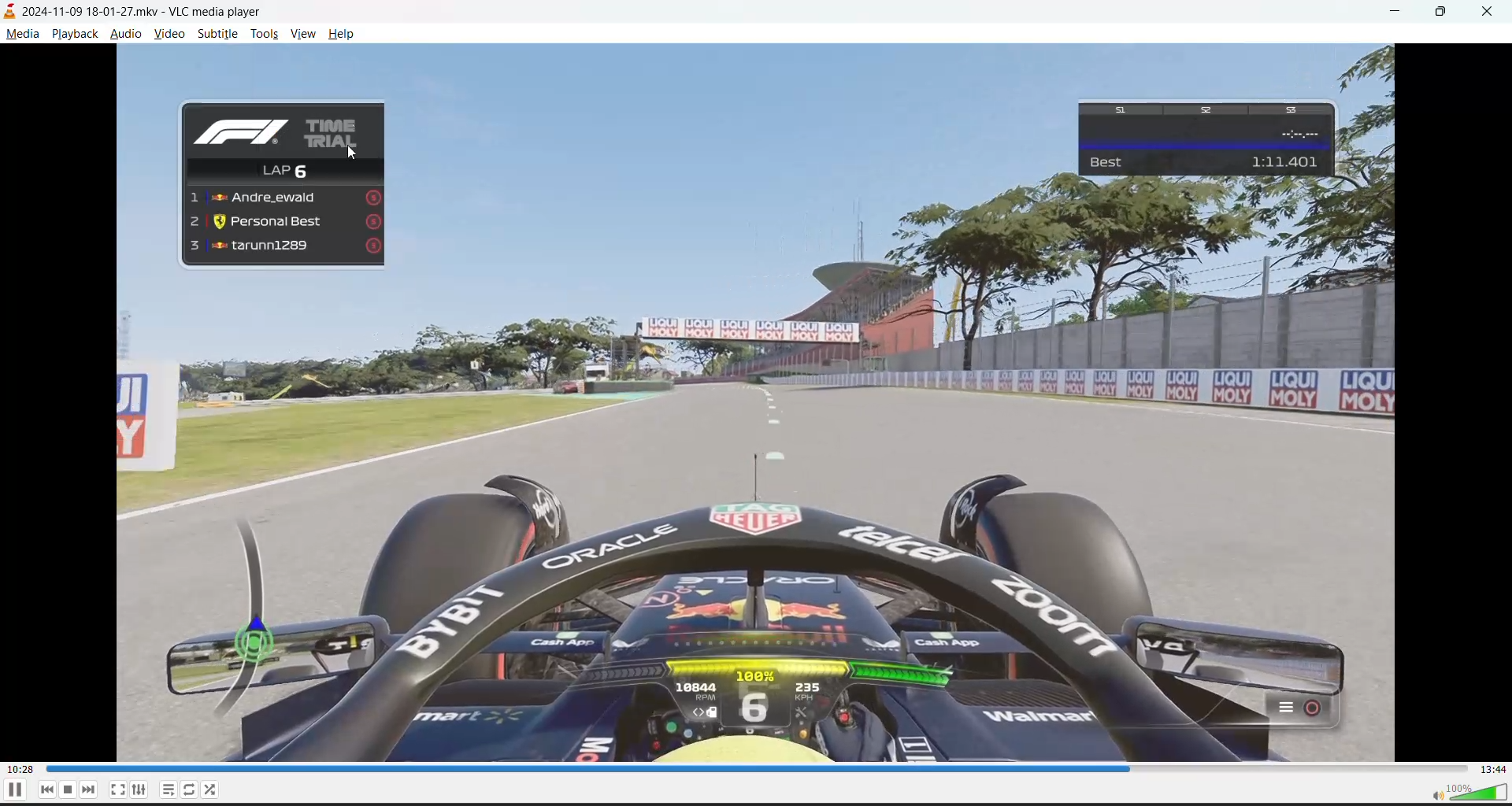 The width and height of the screenshot is (1512, 806). What do you see at coordinates (759, 530) in the screenshot?
I see `preview` at bounding box center [759, 530].